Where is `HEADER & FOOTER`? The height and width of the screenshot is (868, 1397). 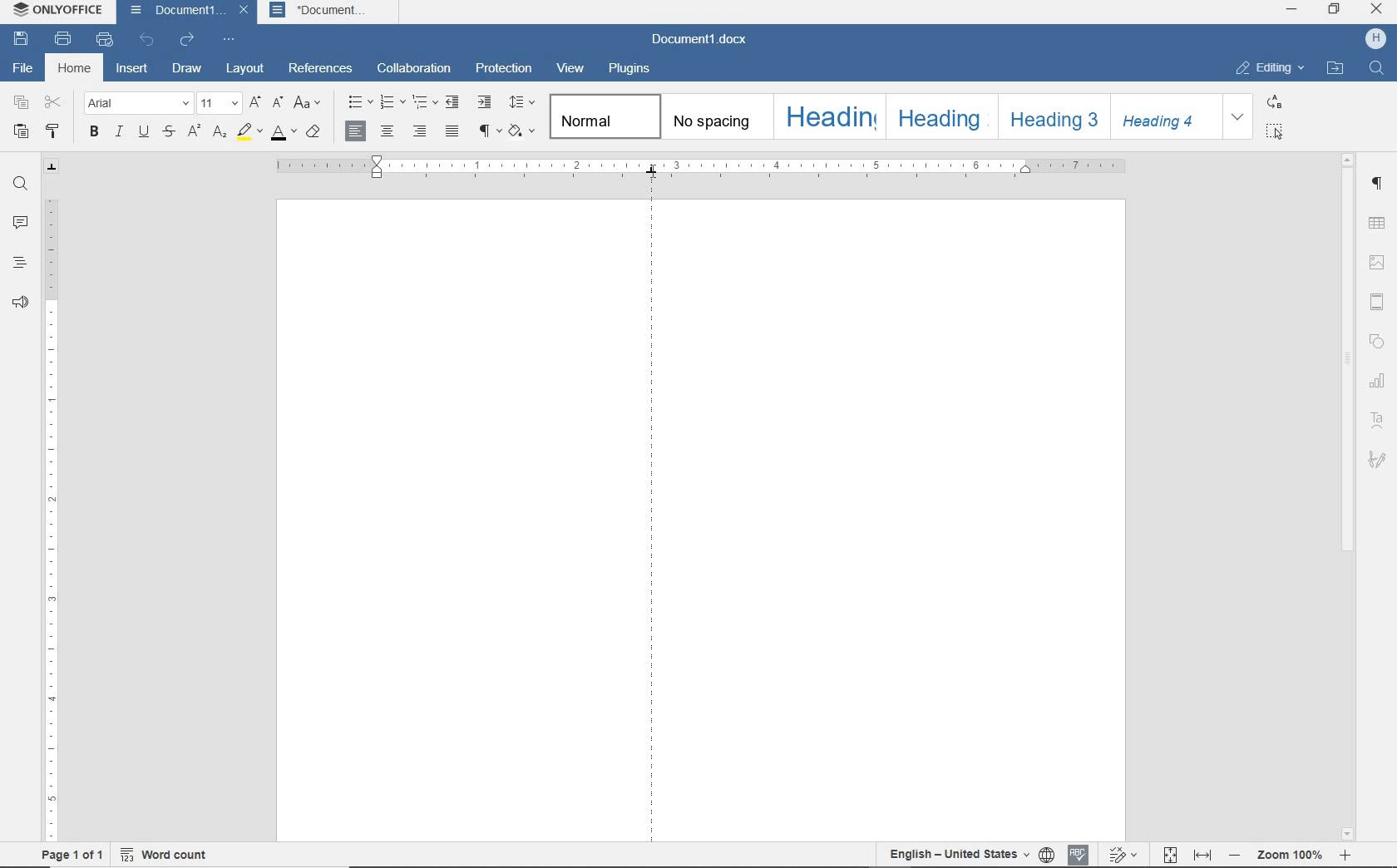 HEADER & FOOTER is located at coordinates (1376, 301).